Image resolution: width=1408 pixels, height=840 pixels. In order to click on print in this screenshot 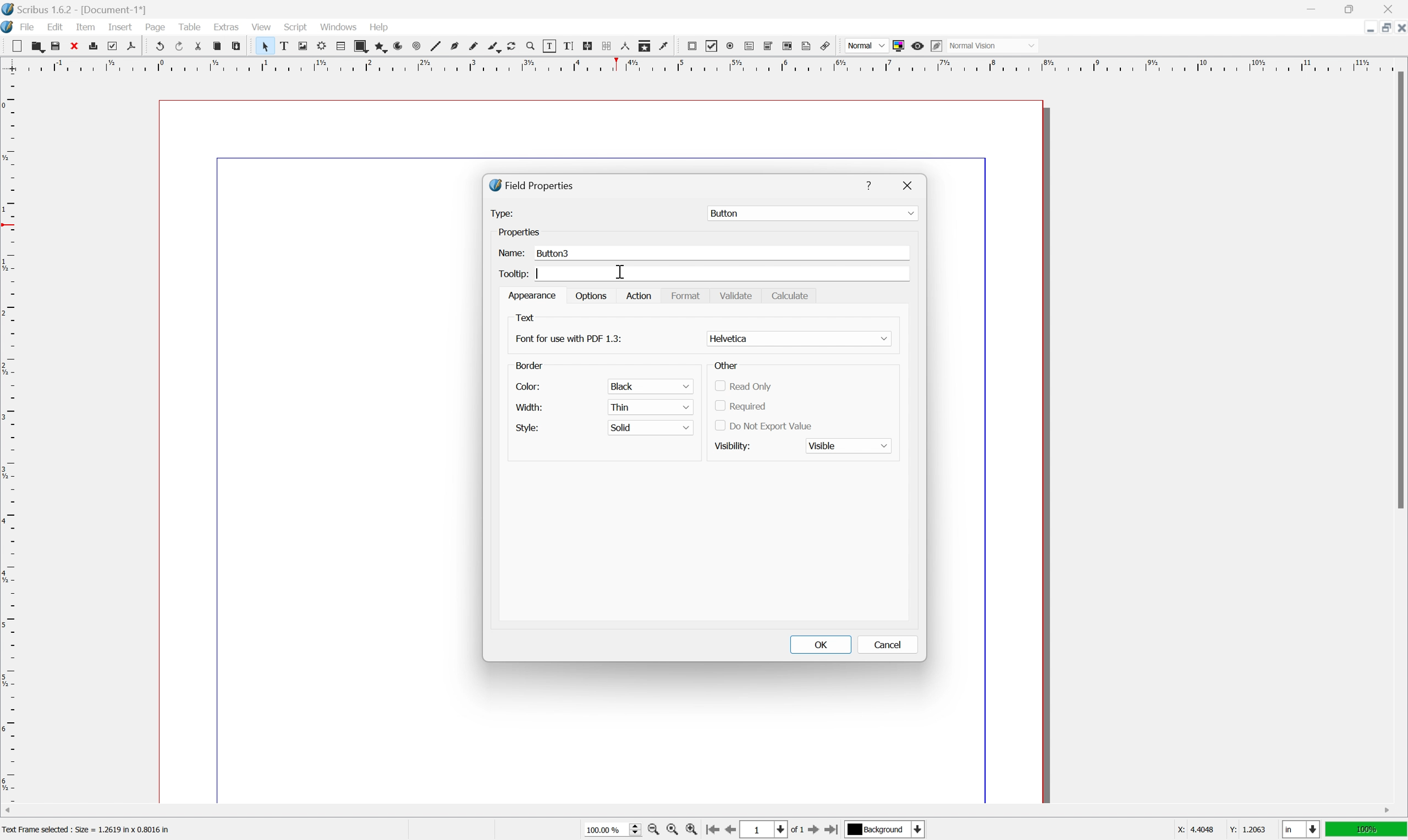, I will do `click(93, 46)`.